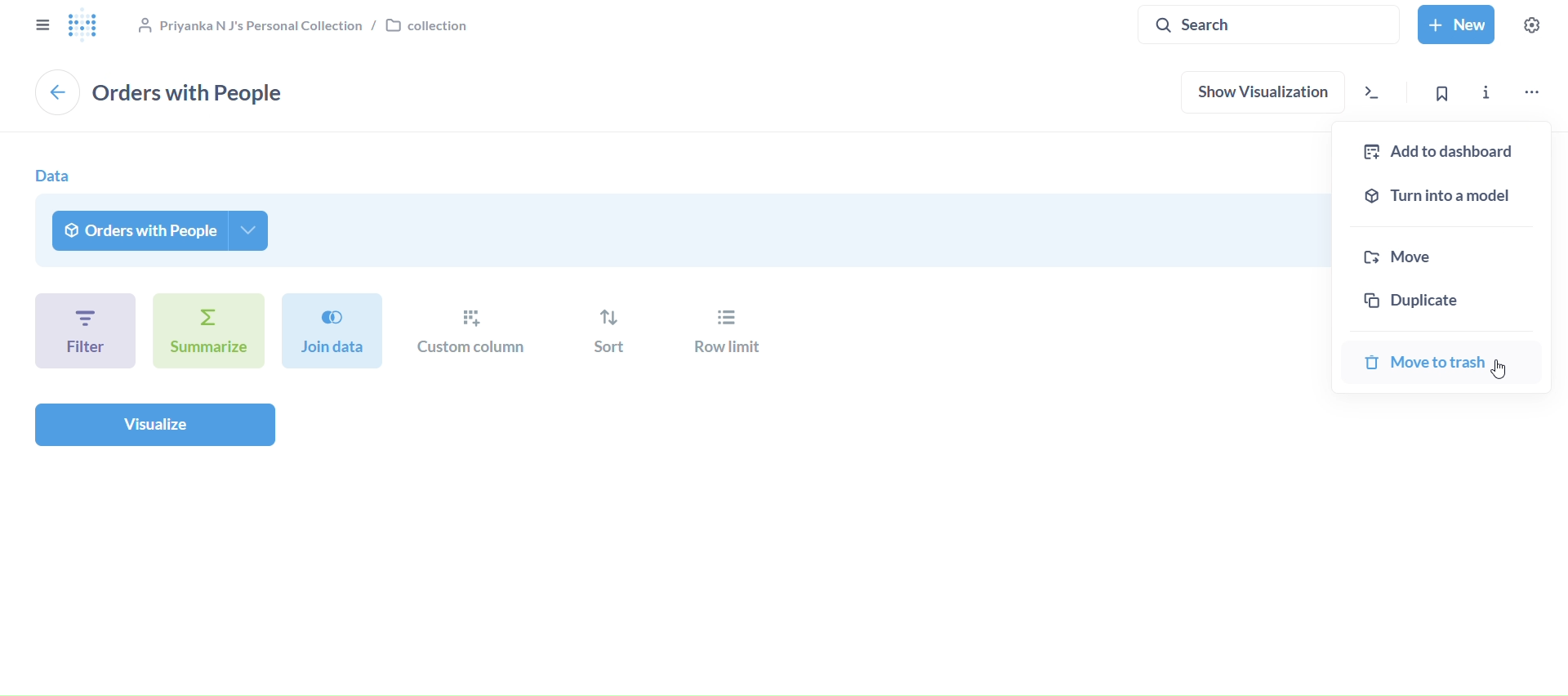  I want to click on sort, so click(611, 331).